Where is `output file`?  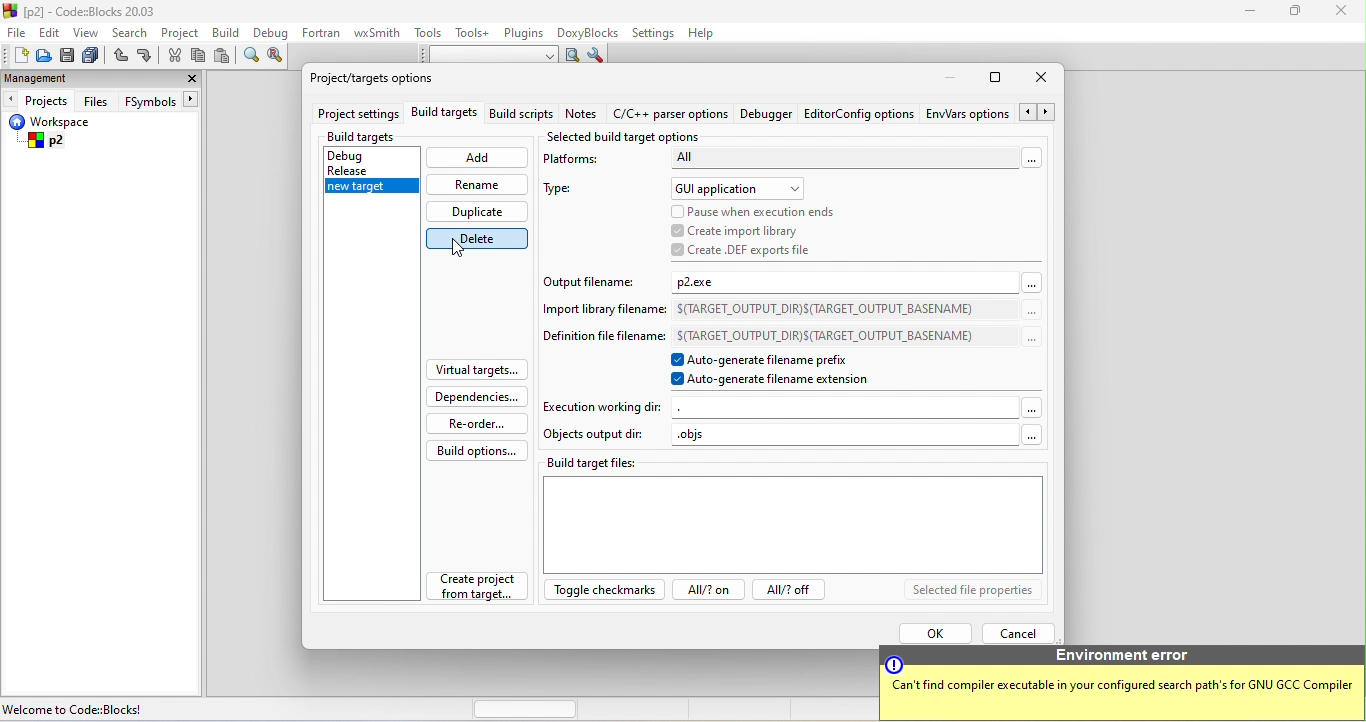
output file is located at coordinates (595, 280).